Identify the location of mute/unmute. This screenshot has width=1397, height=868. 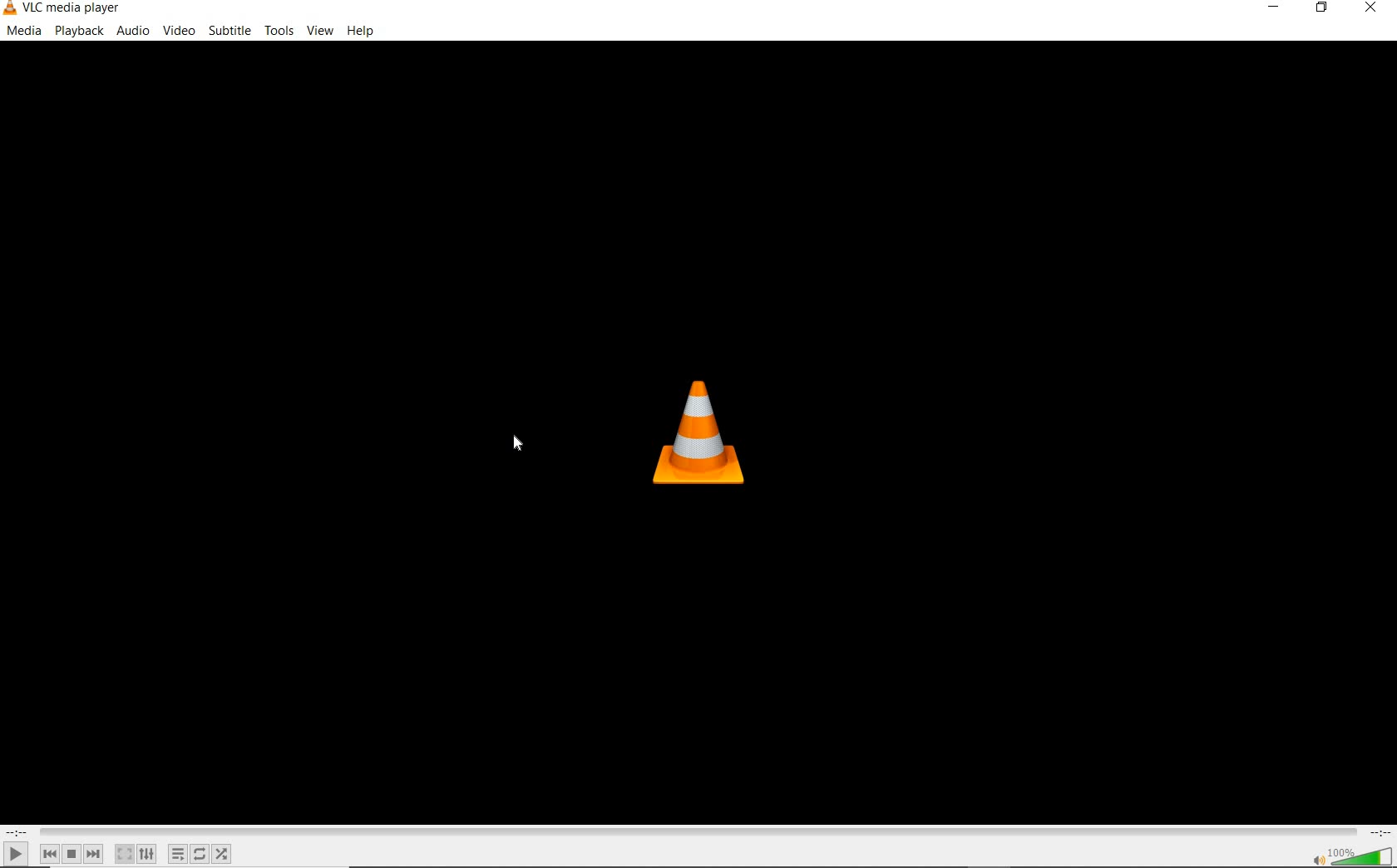
(1317, 859).